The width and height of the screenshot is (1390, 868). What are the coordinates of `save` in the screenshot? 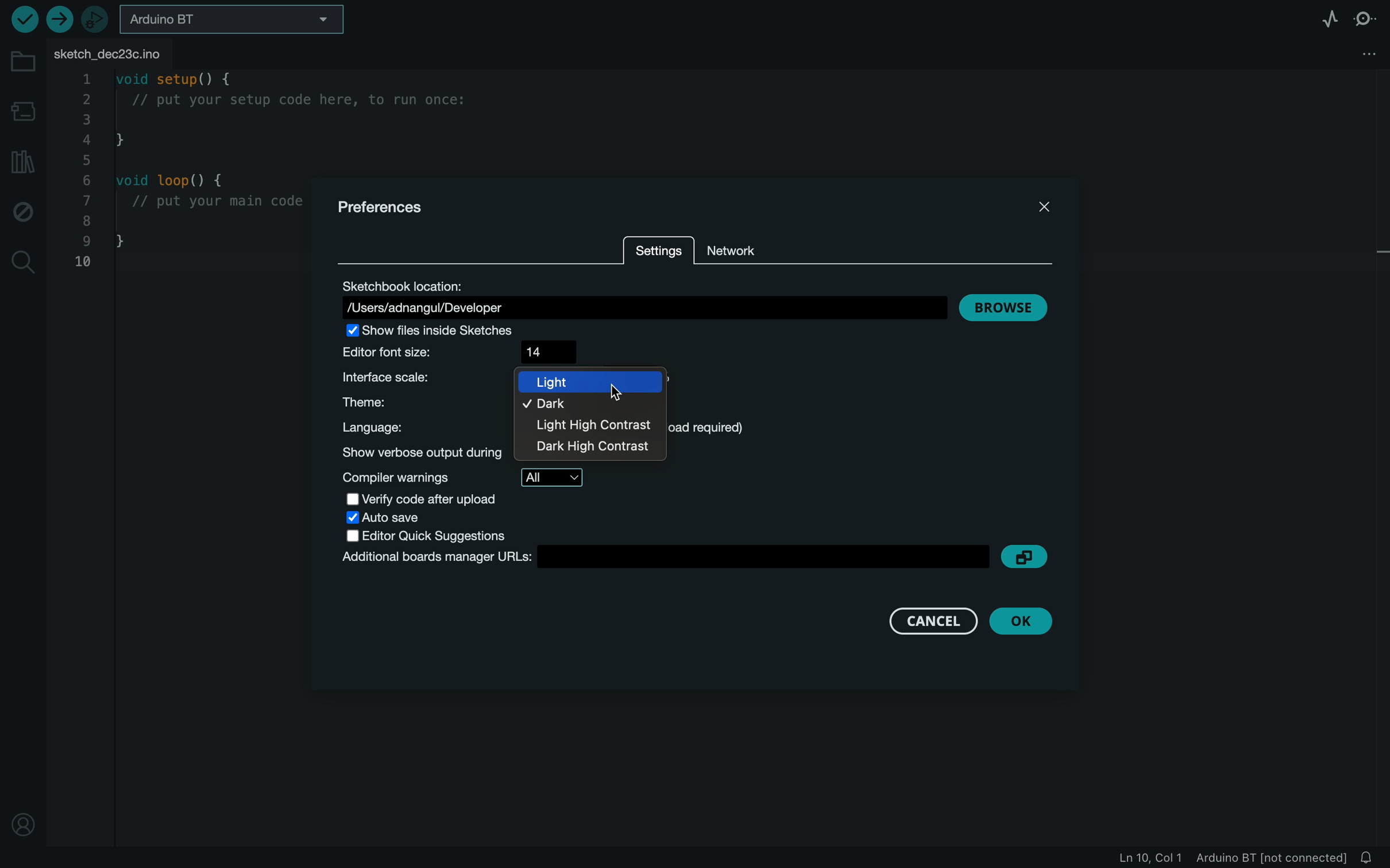 It's located at (405, 518).